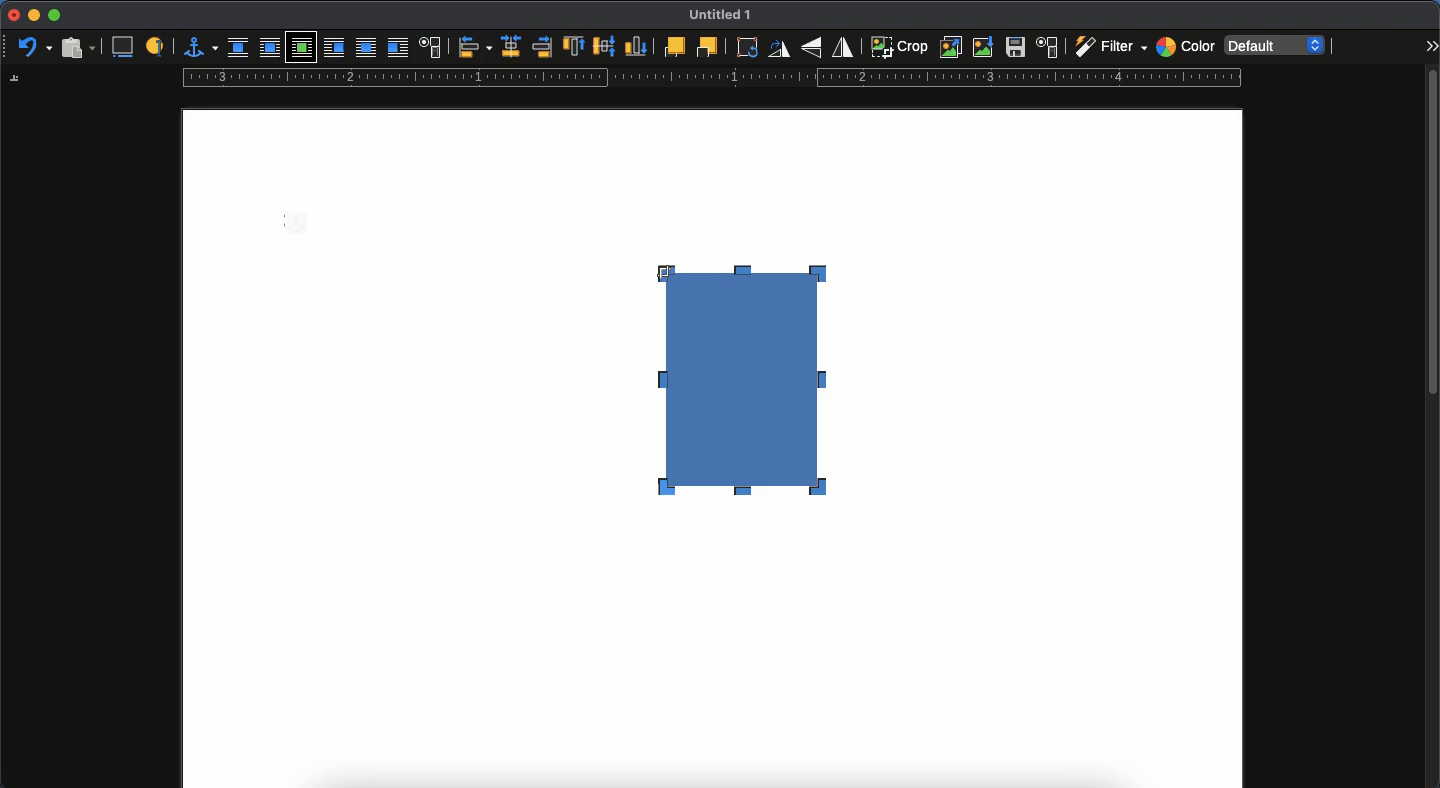 The image size is (1440, 788). What do you see at coordinates (814, 47) in the screenshot?
I see `flip vertically ` at bounding box center [814, 47].